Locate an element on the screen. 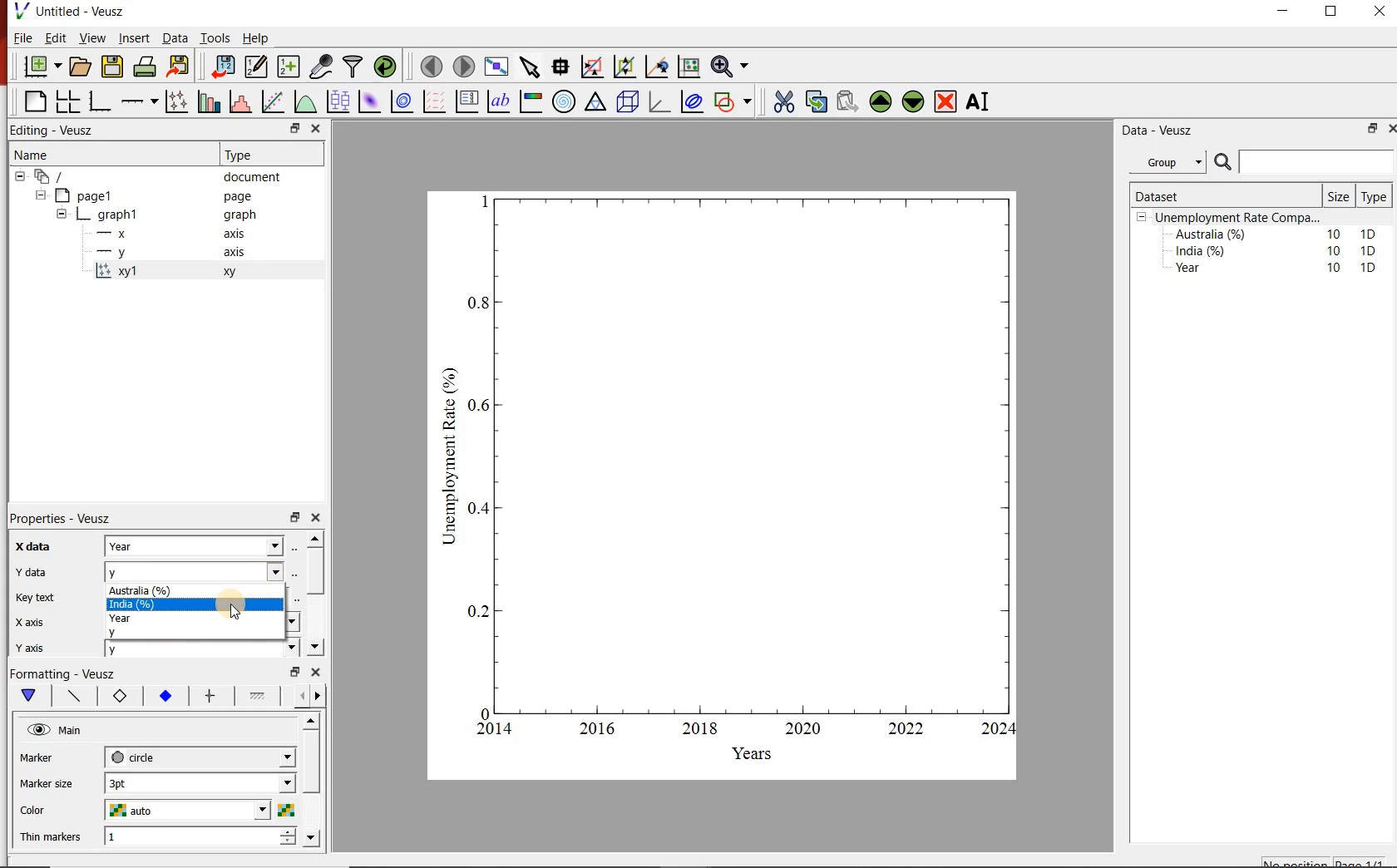  zoom funtions is located at coordinates (733, 65).